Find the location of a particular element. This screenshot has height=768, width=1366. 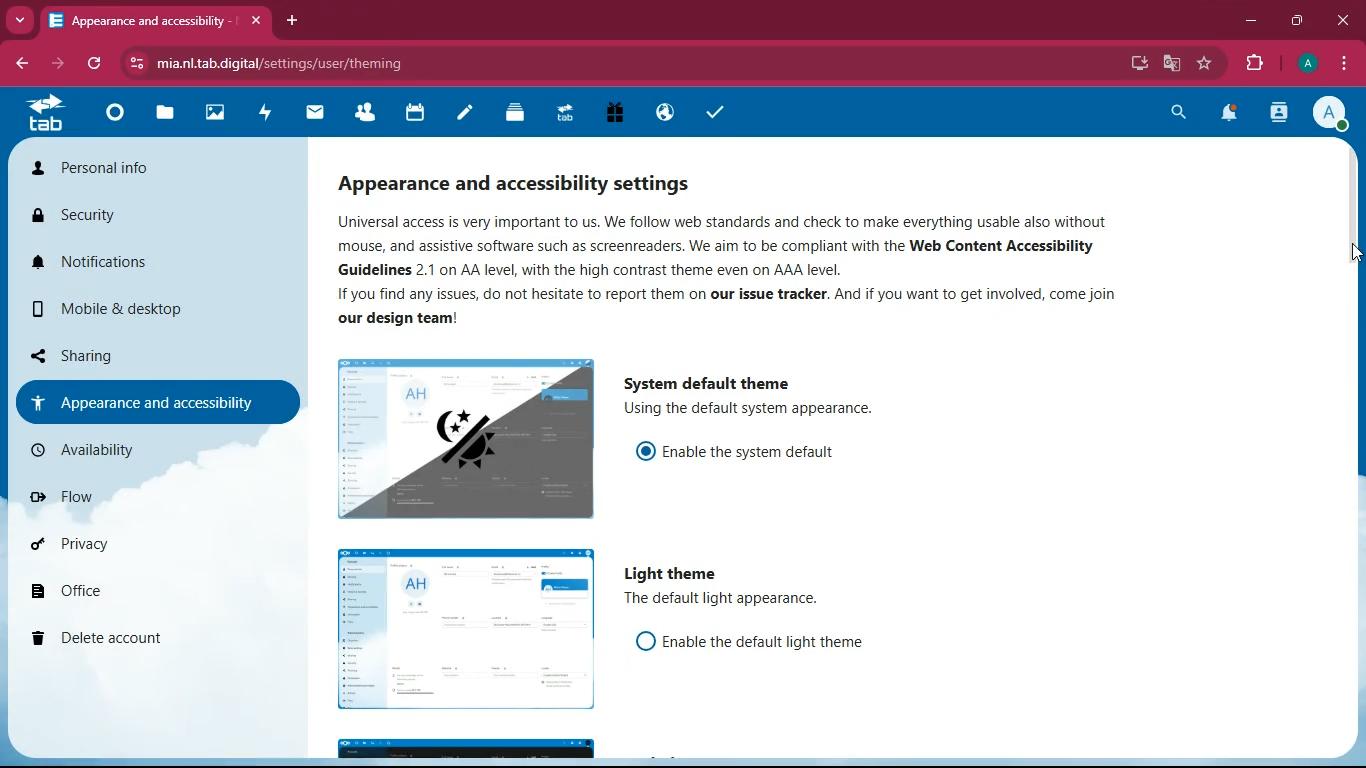

extensions is located at coordinates (1253, 62).